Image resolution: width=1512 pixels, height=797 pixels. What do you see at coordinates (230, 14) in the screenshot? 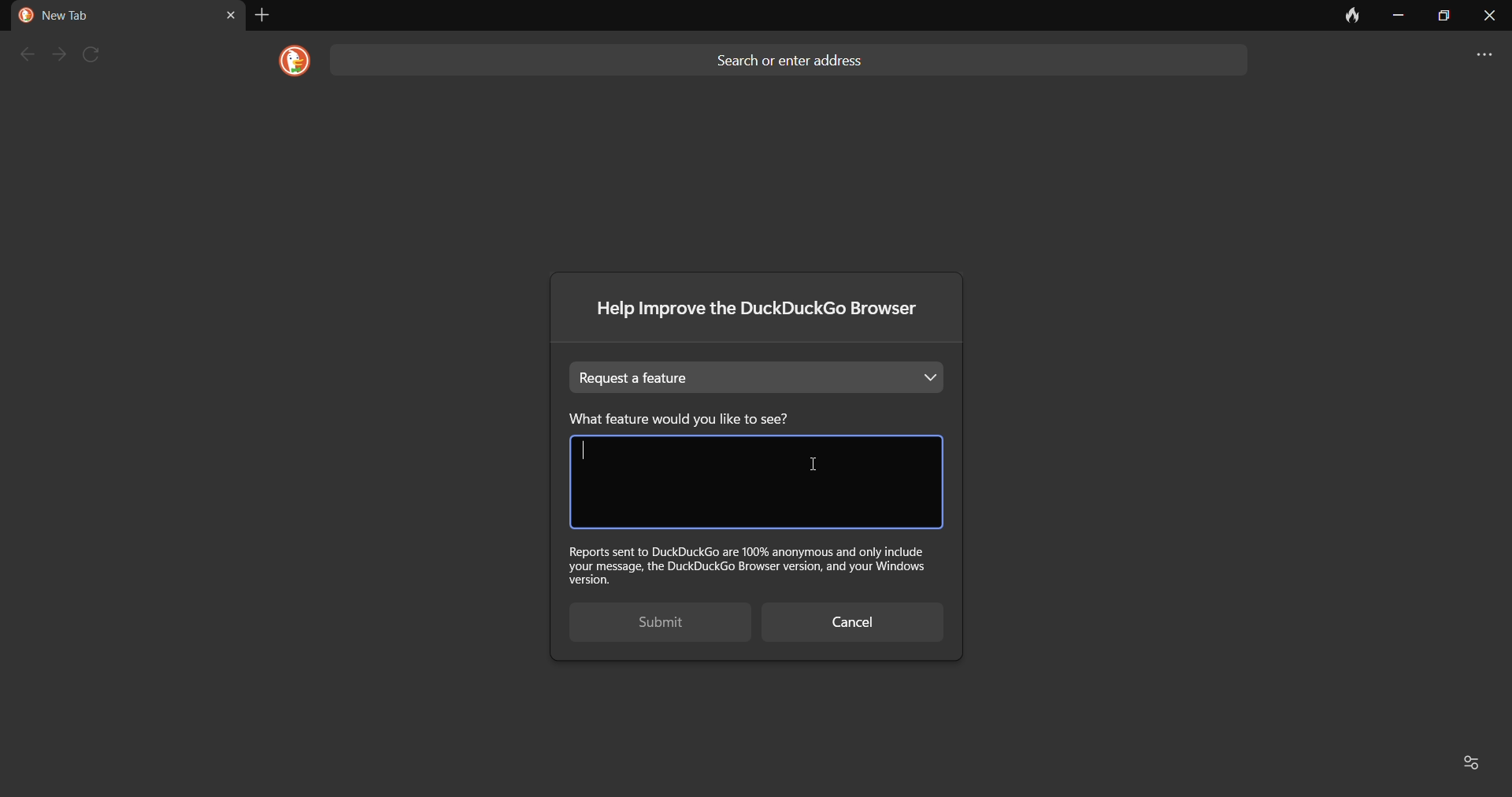
I see `close tab` at bounding box center [230, 14].